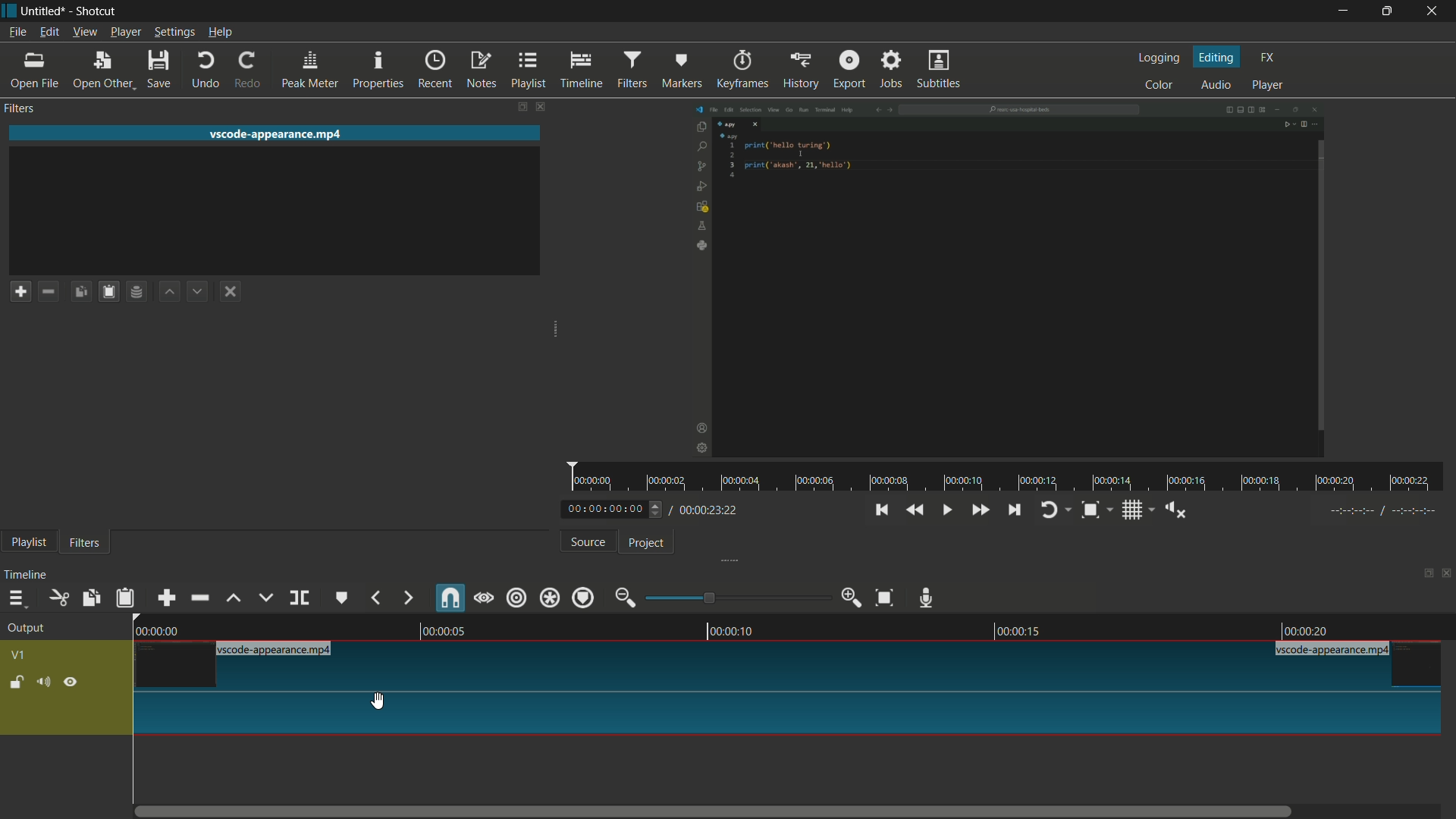  I want to click on app icon, so click(9, 10).